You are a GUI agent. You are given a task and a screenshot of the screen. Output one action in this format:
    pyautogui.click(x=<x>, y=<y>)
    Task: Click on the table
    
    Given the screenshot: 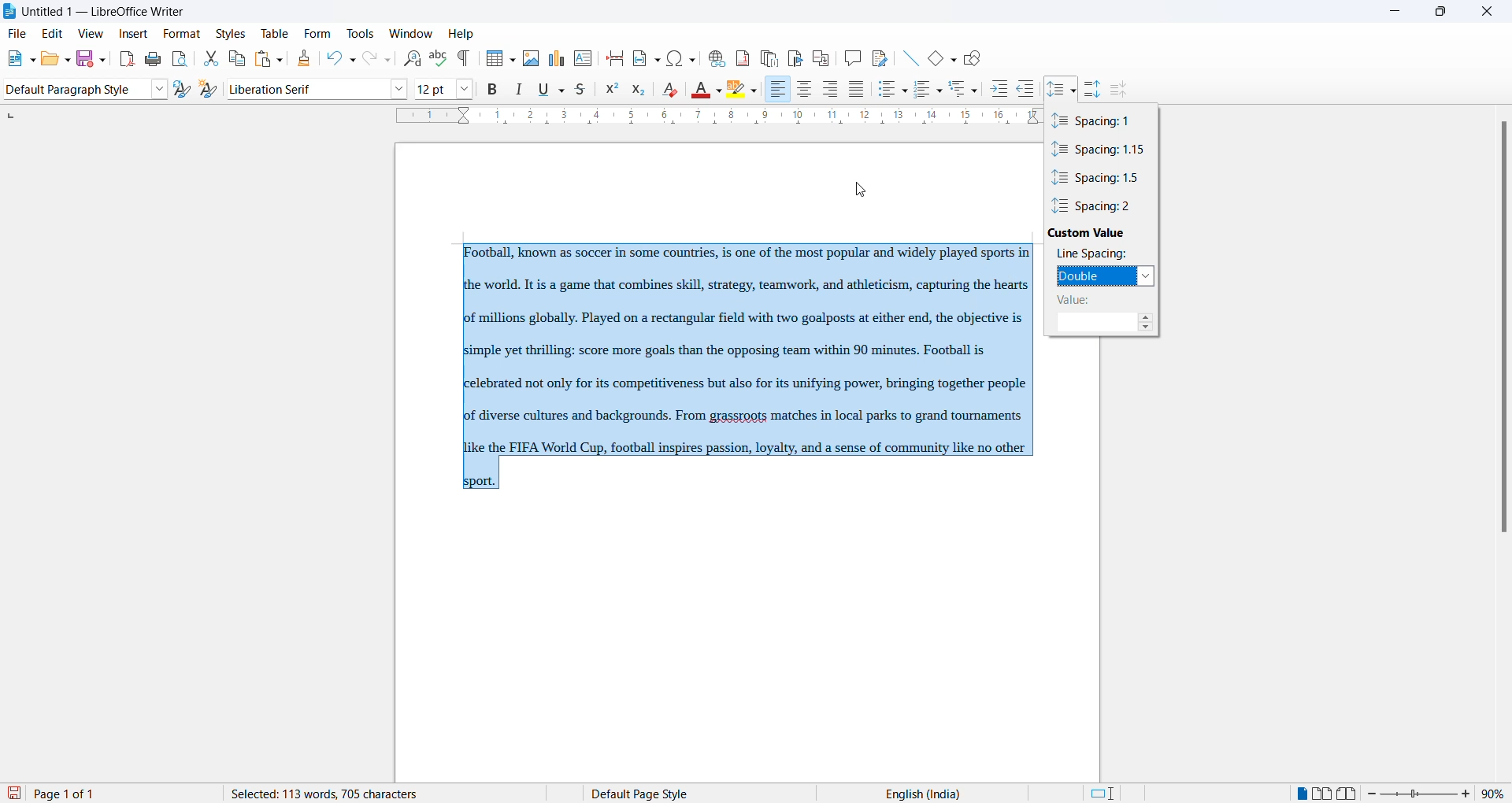 What is the action you would take?
    pyautogui.click(x=275, y=32)
    